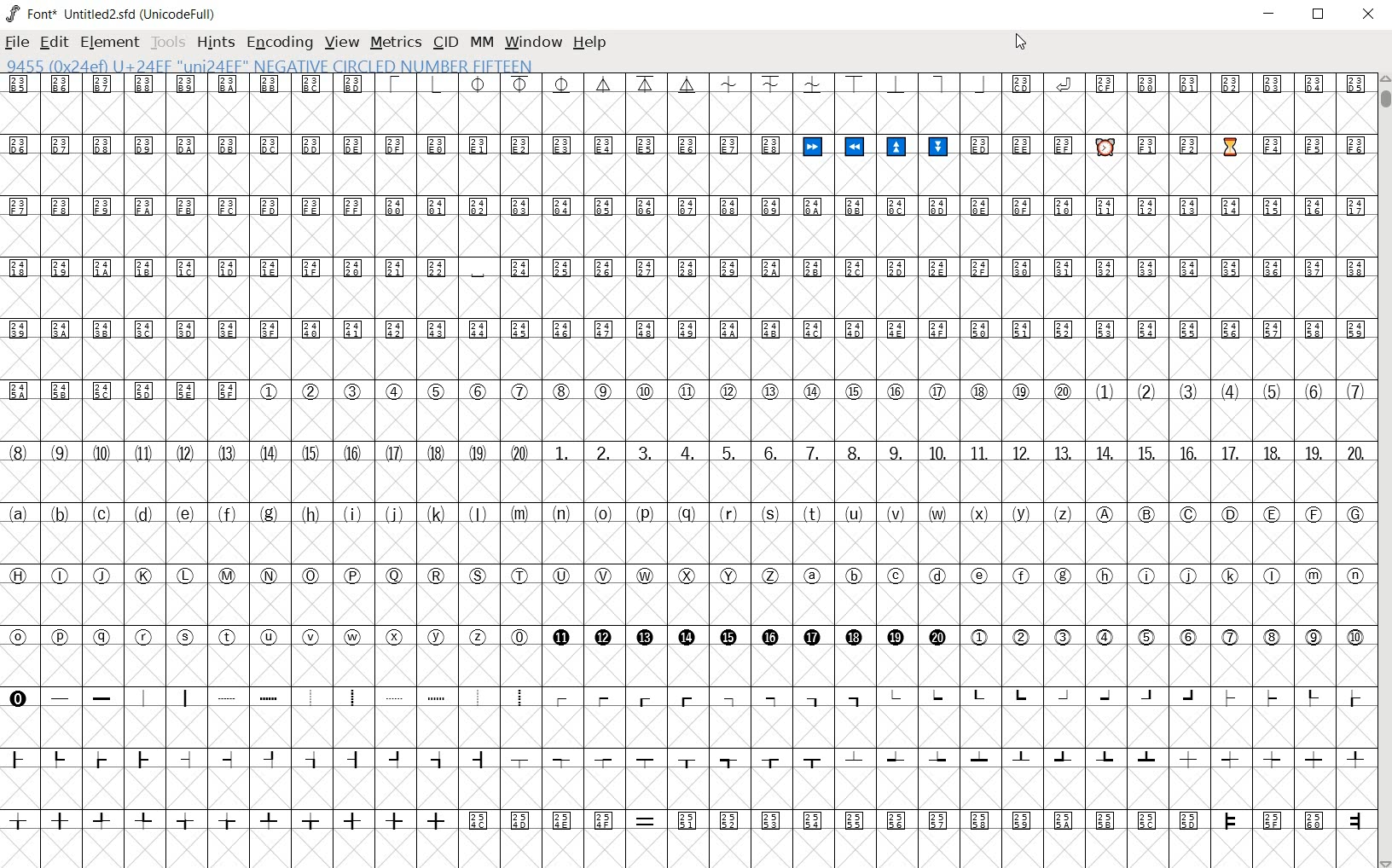 The height and width of the screenshot is (868, 1392). I want to click on VIEW, so click(340, 43).